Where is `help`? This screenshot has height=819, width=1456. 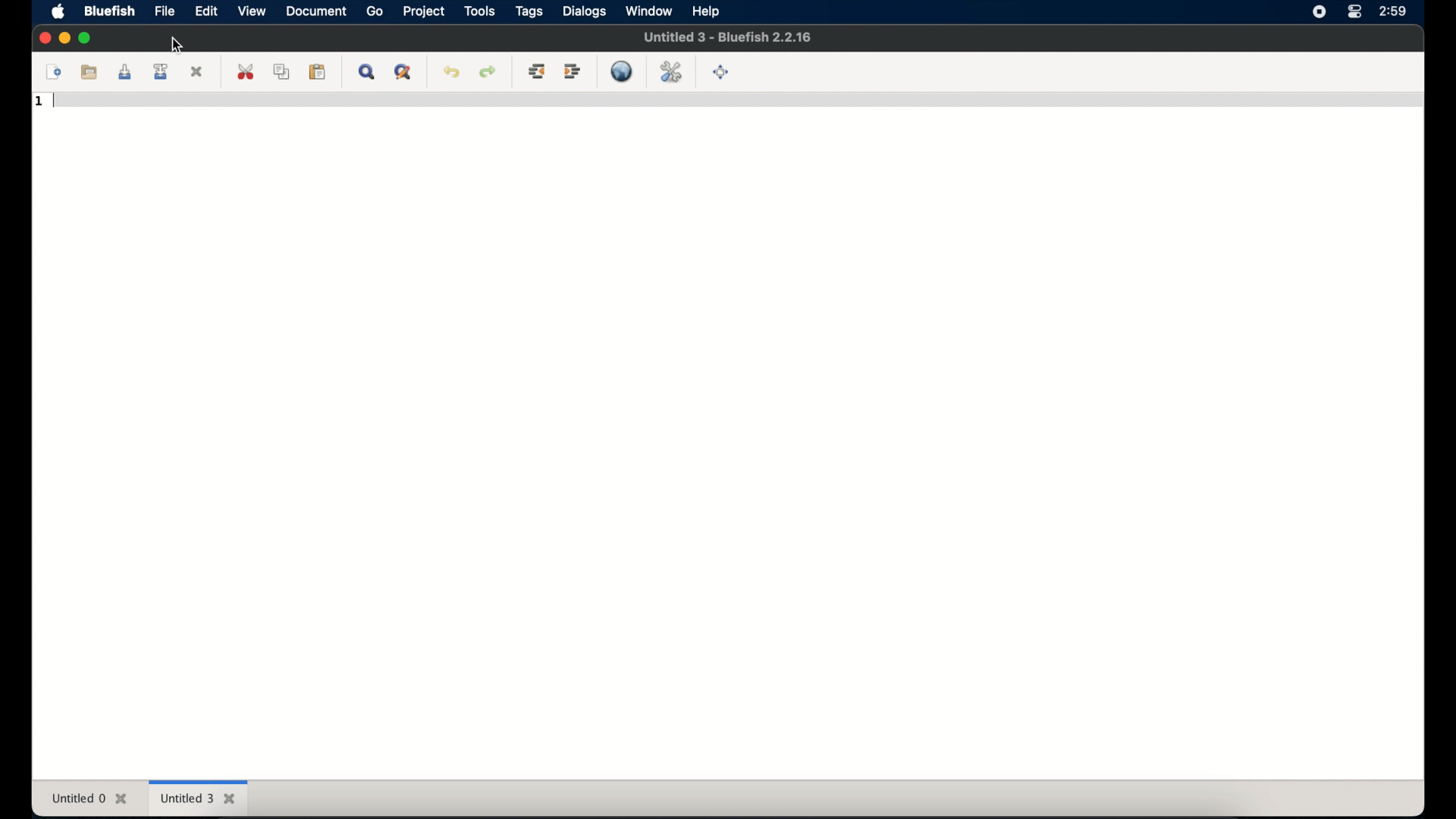
help is located at coordinates (707, 11).